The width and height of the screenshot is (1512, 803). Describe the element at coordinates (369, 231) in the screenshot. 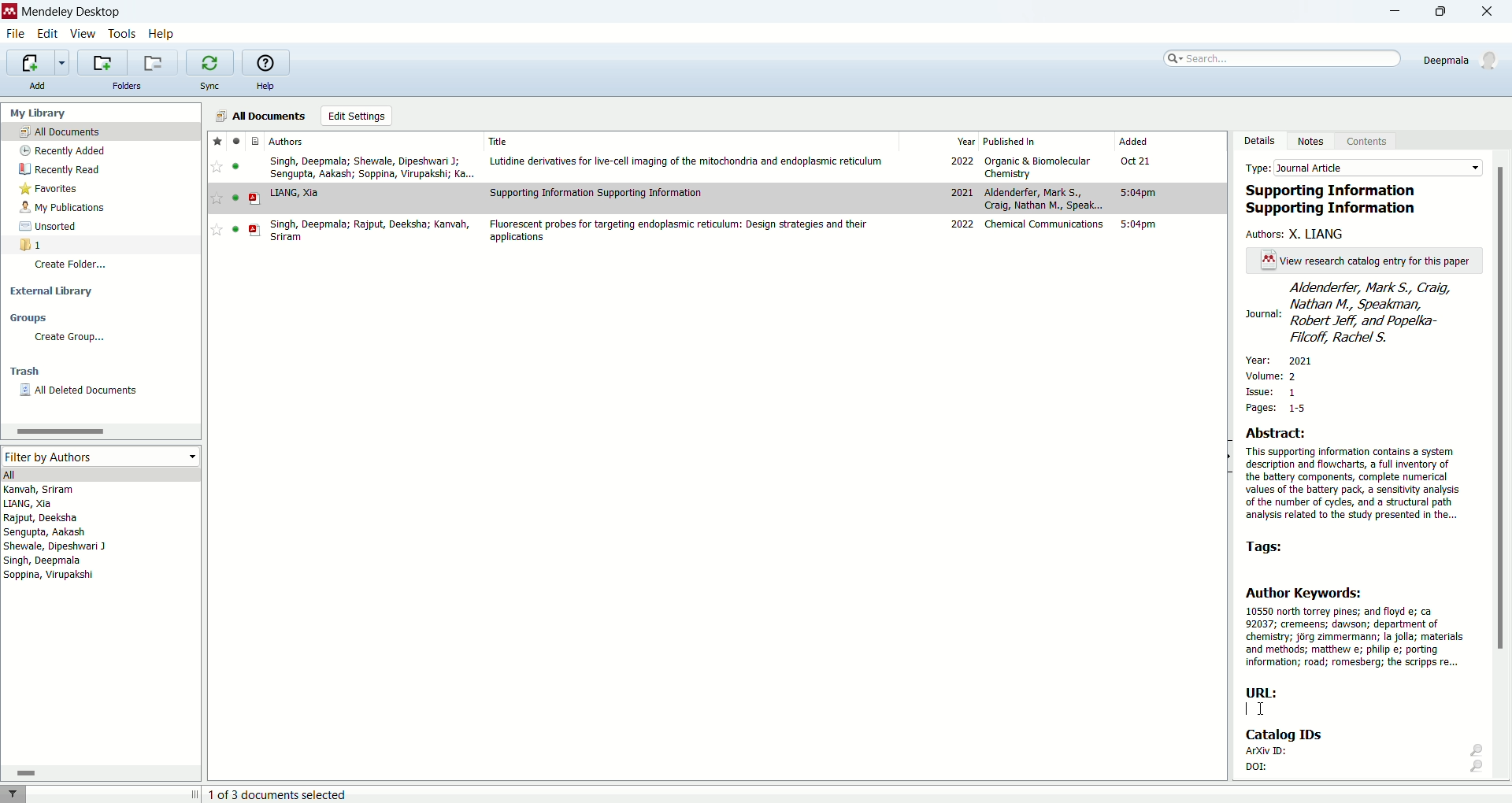

I see `Singh, Deepmala; Rajput, Deeksha; Kanvah,
Sriram` at that location.